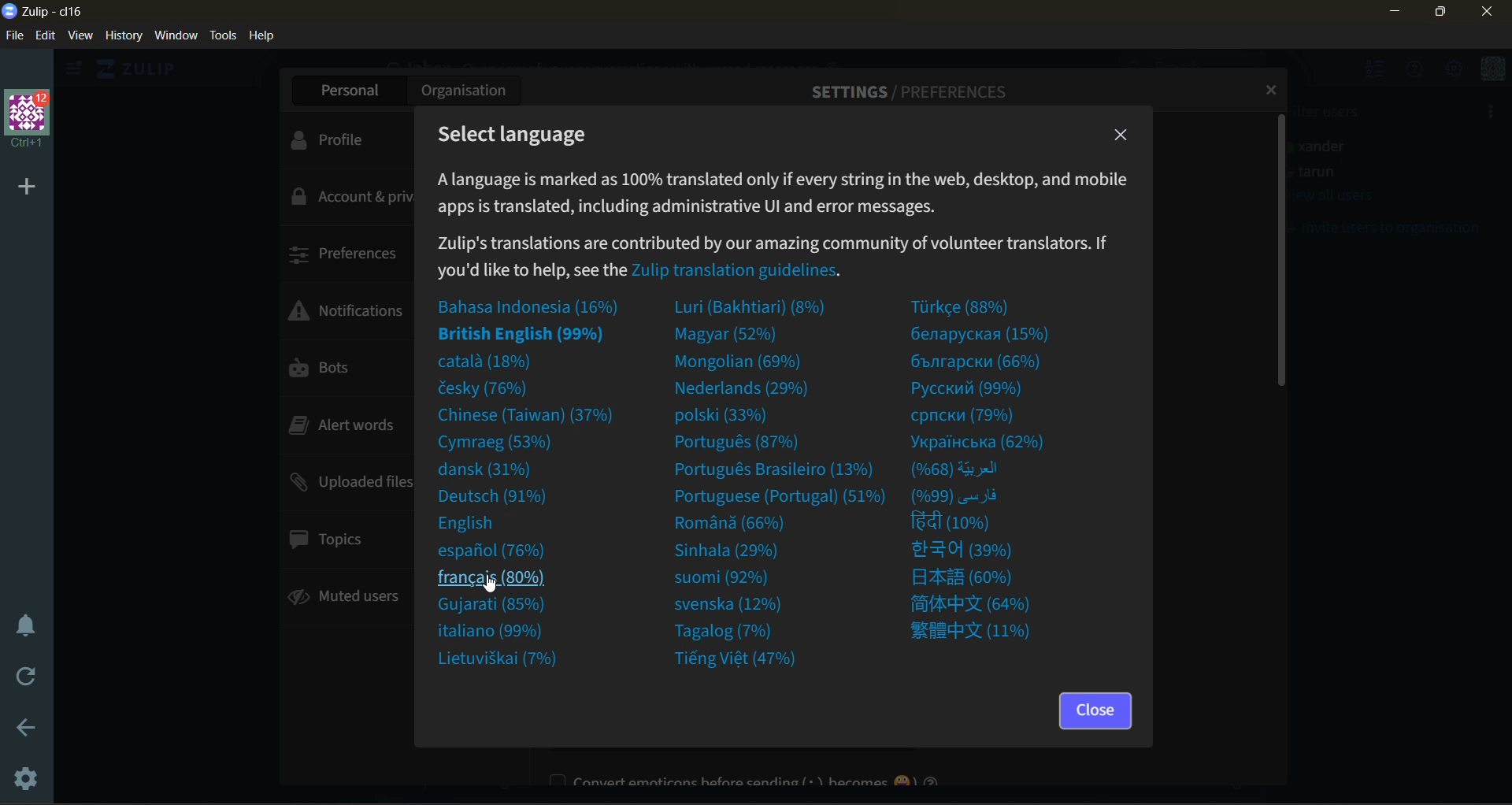 Image resolution: width=1512 pixels, height=805 pixels. What do you see at coordinates (735, 548) in the screenshot?
I see `sinhala` at bounding box center [735, 548].